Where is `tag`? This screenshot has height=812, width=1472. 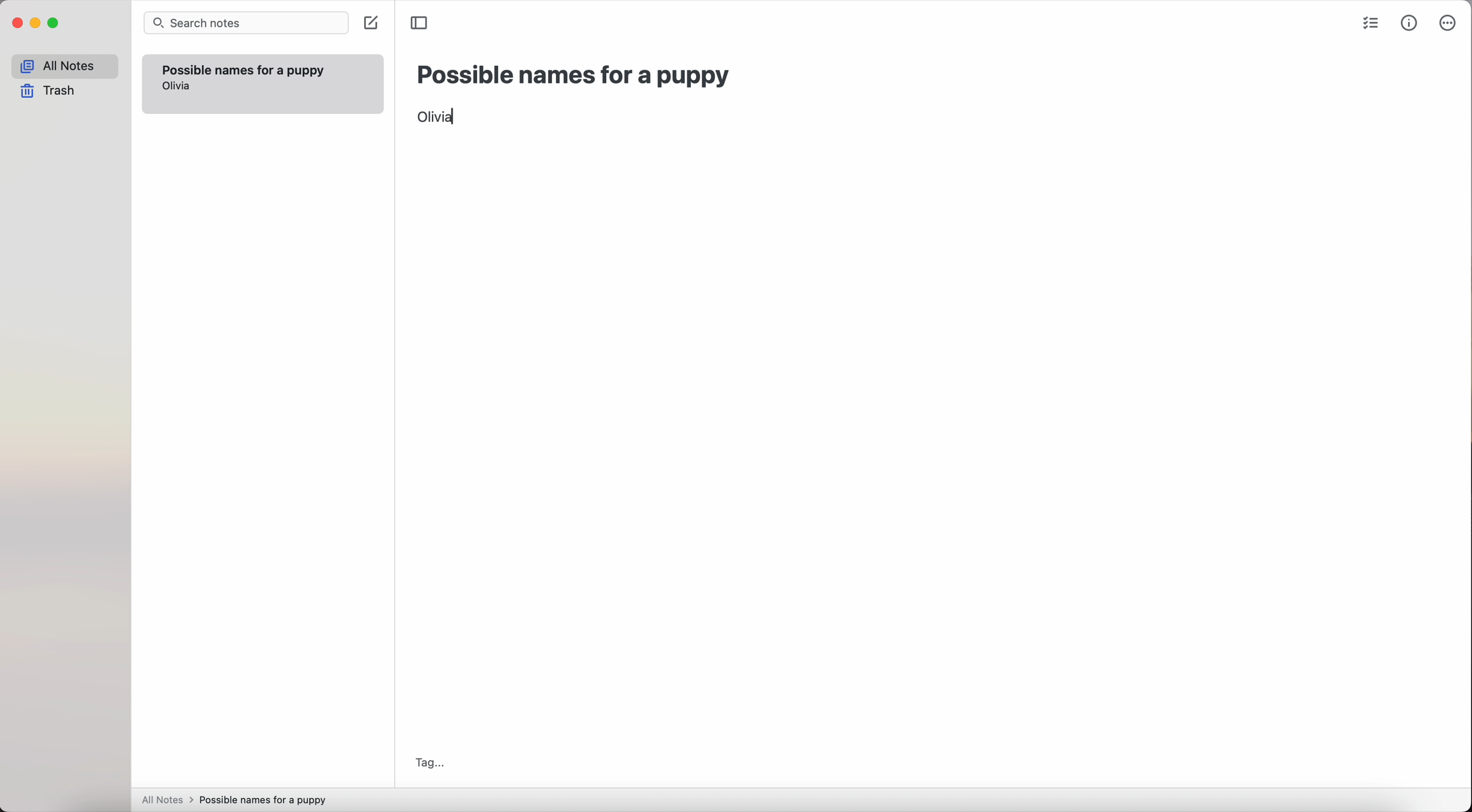
tag is located at coordinates (429, 762).